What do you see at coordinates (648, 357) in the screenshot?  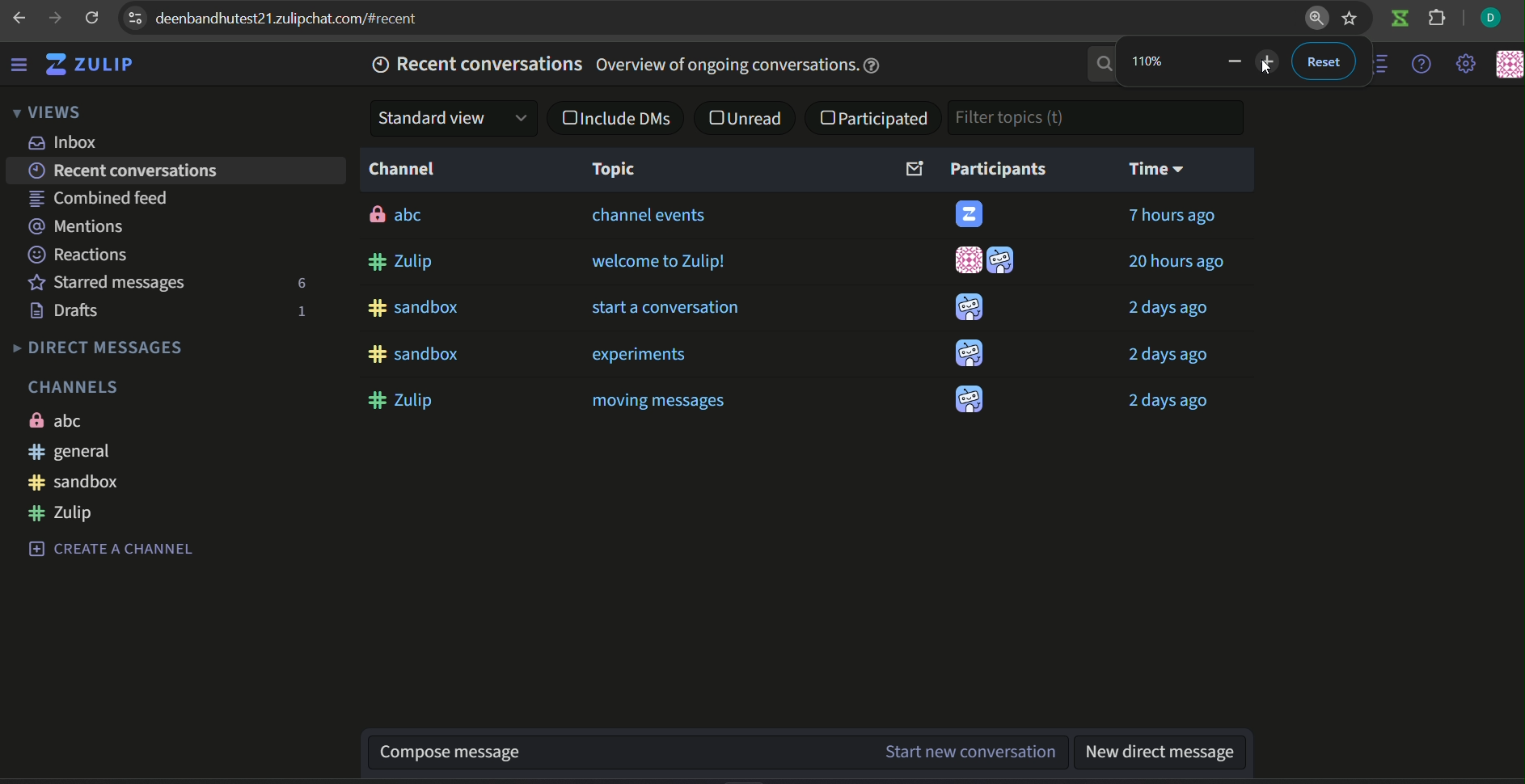 I see `experiments` at bounding box center [648, 357].